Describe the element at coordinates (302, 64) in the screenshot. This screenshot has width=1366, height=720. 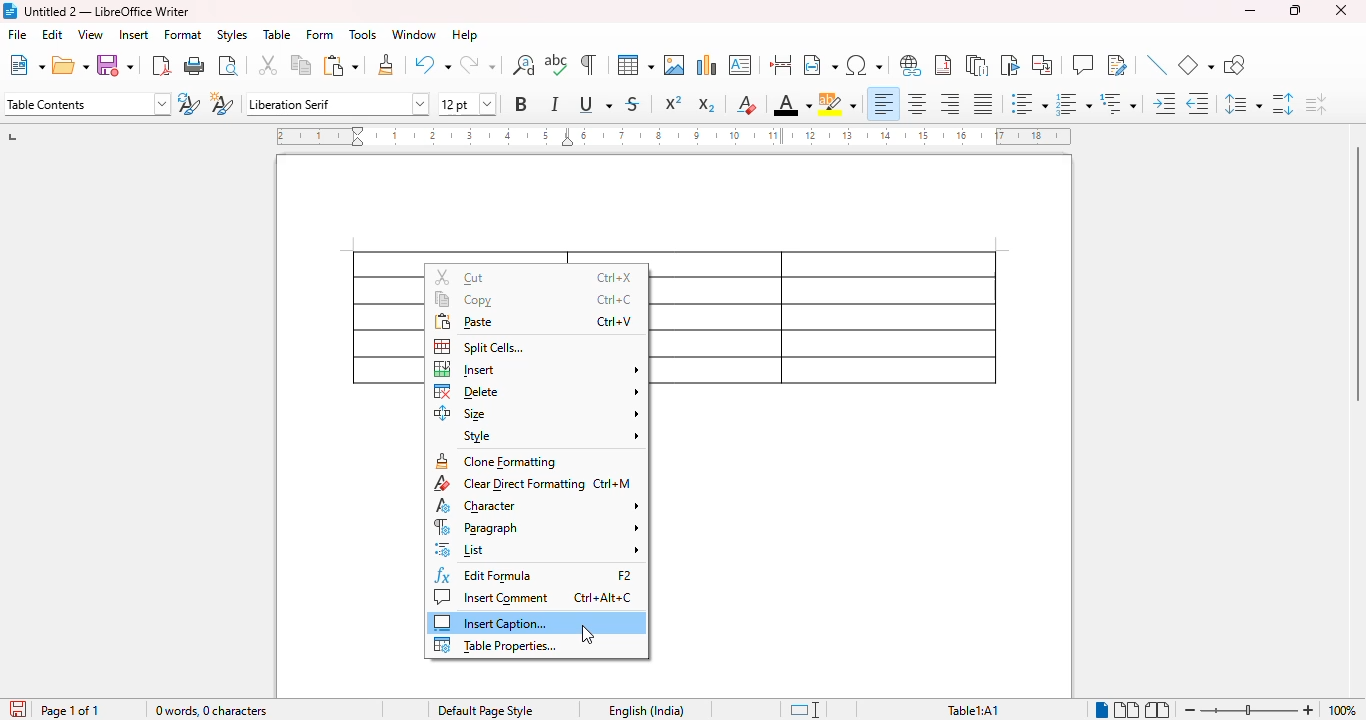
I see `copy` at that location.